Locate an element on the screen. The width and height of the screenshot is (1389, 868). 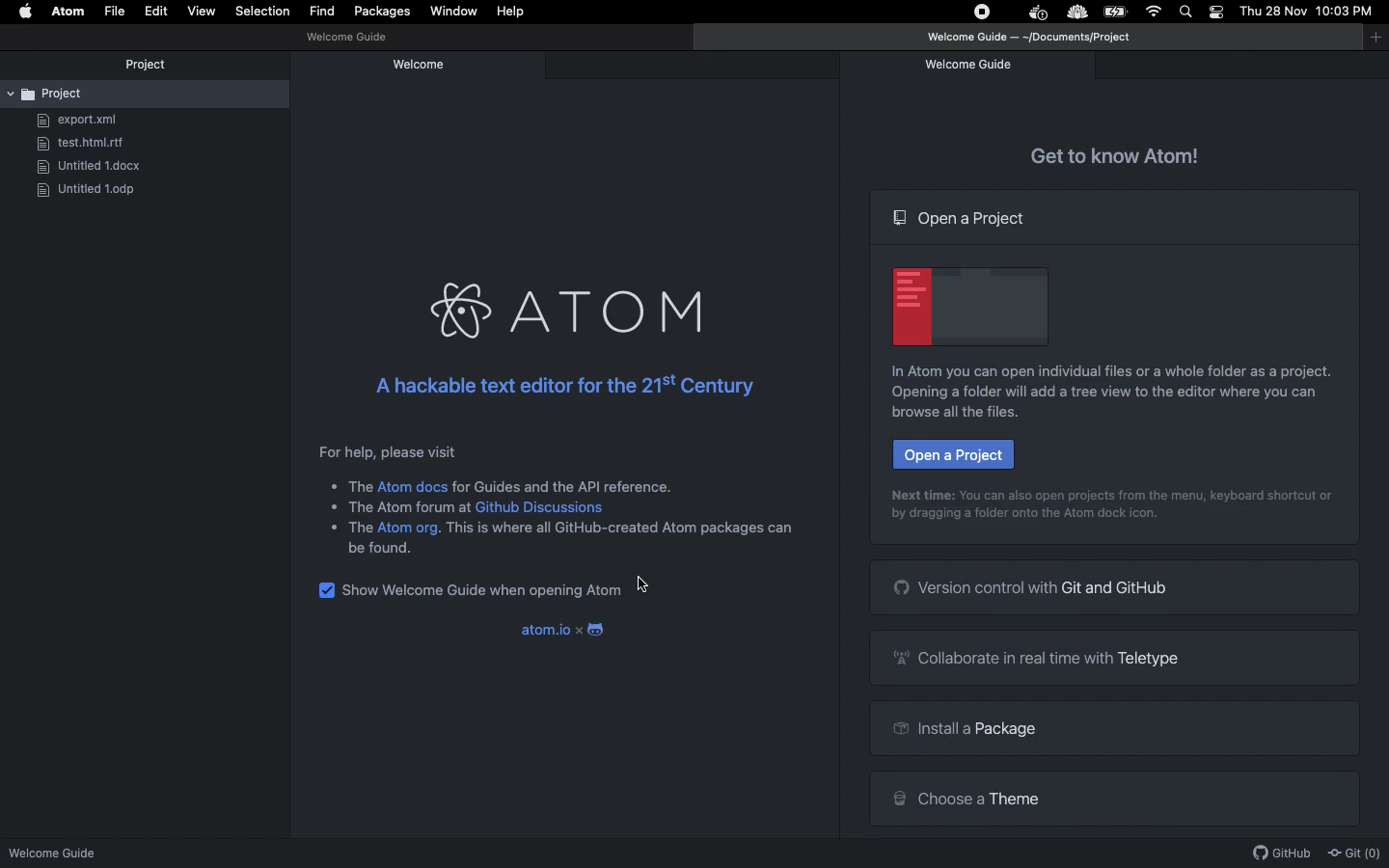
text is located at coordinates (620, 530).